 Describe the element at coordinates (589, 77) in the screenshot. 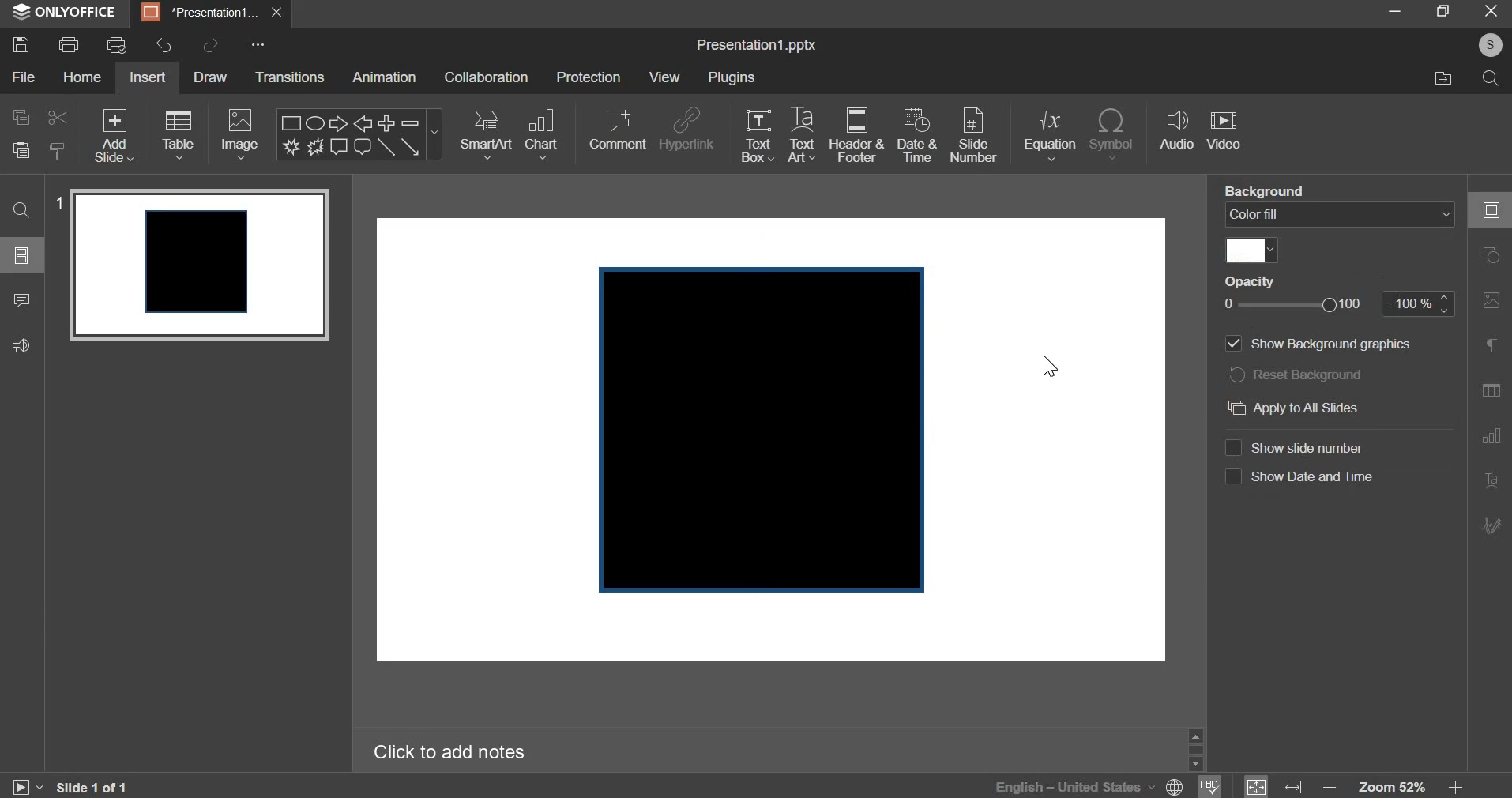

I see `protection` at that location.